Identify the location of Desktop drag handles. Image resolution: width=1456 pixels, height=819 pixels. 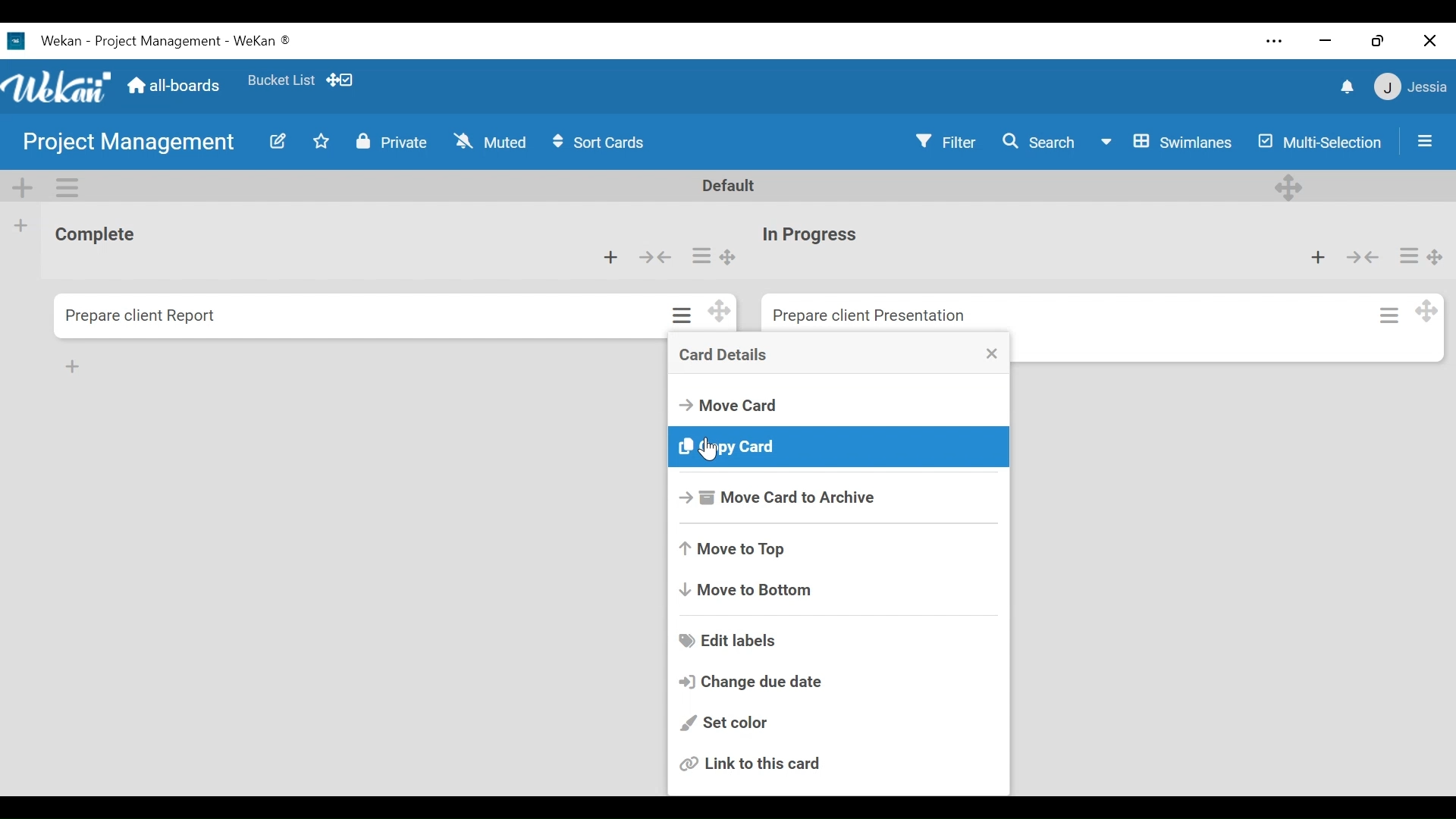
(340, 80).